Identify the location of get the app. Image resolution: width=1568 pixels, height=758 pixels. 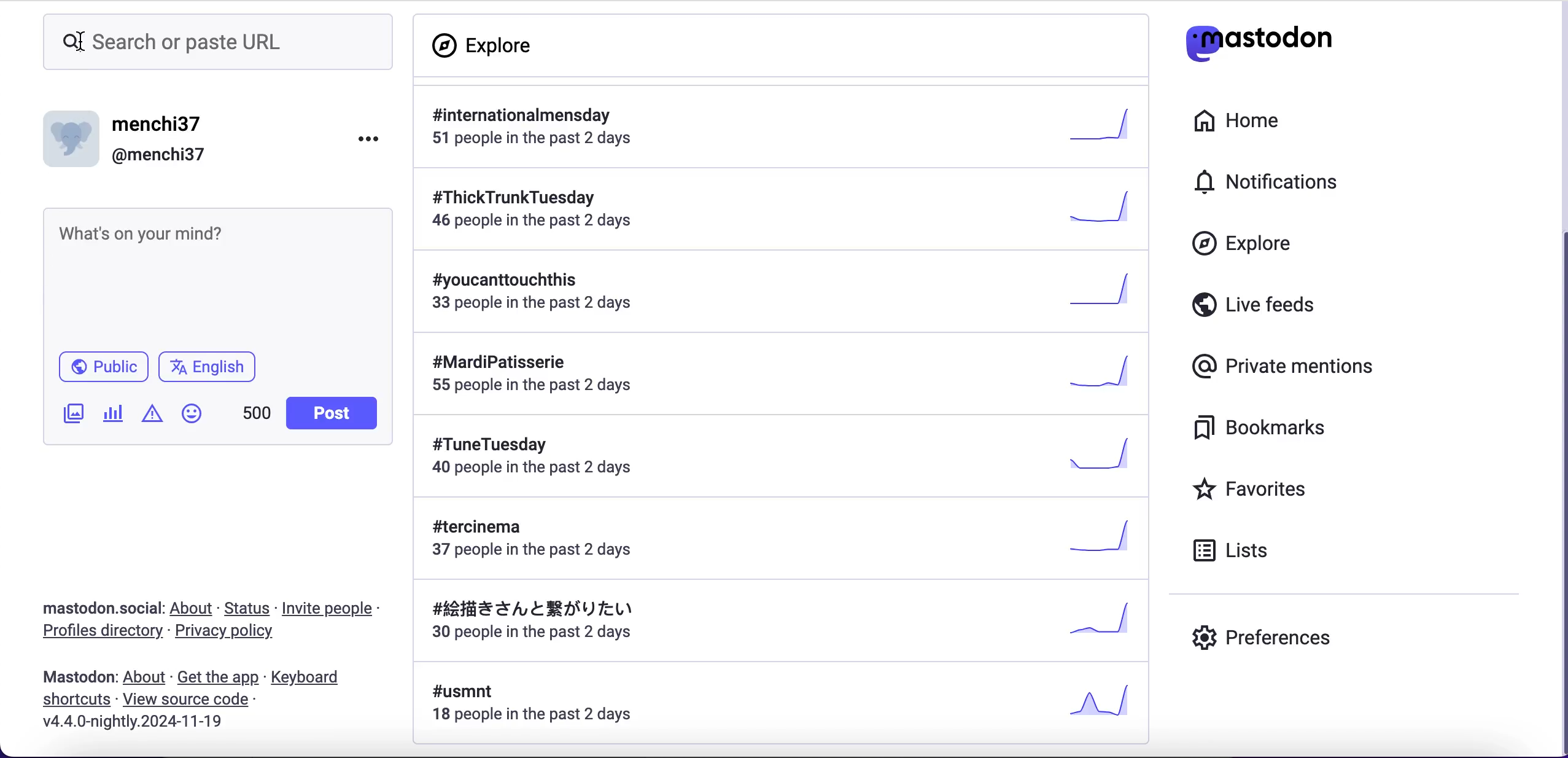
(217, 678).